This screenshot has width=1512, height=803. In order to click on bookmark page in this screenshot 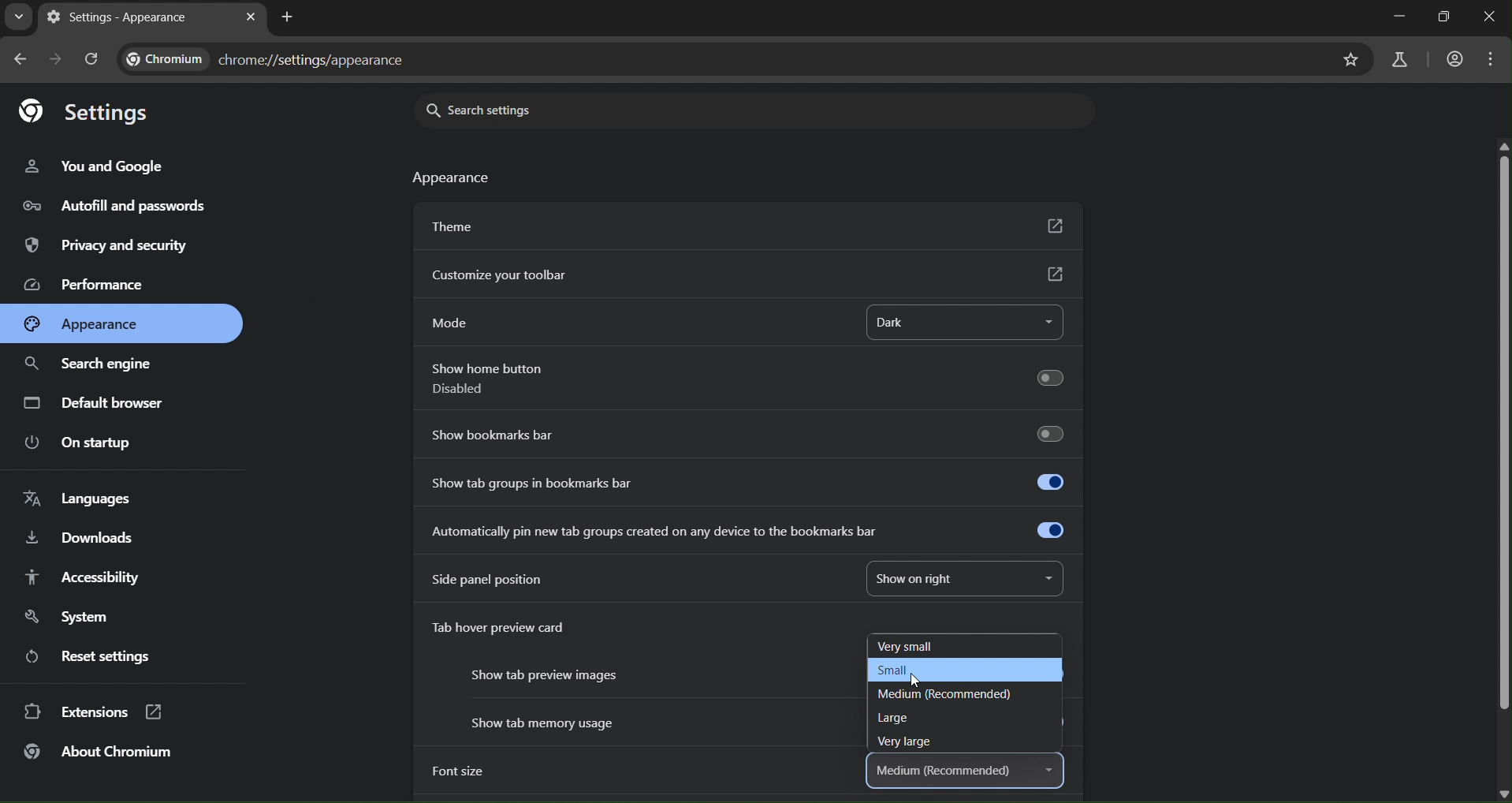, I will do `click(1354, 59)`.